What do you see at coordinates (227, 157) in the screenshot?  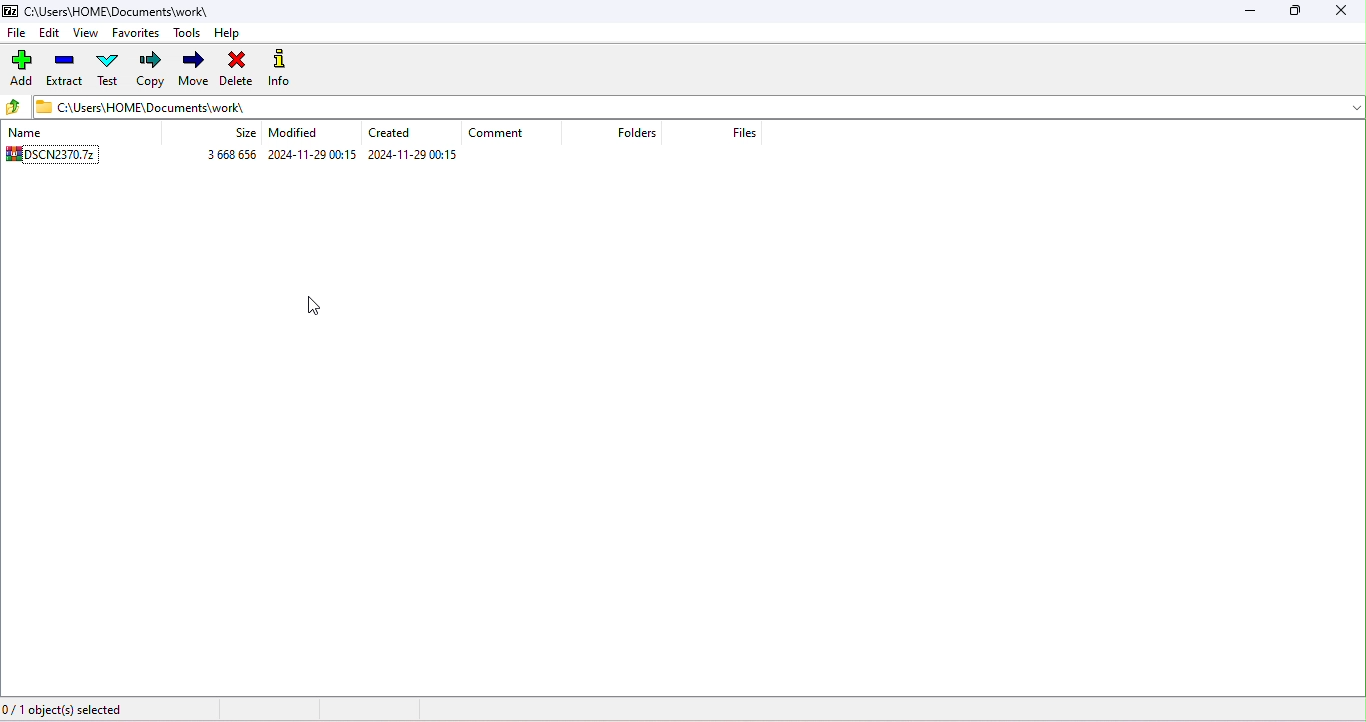 I see `size of the document` at bounding box center [227, 157].